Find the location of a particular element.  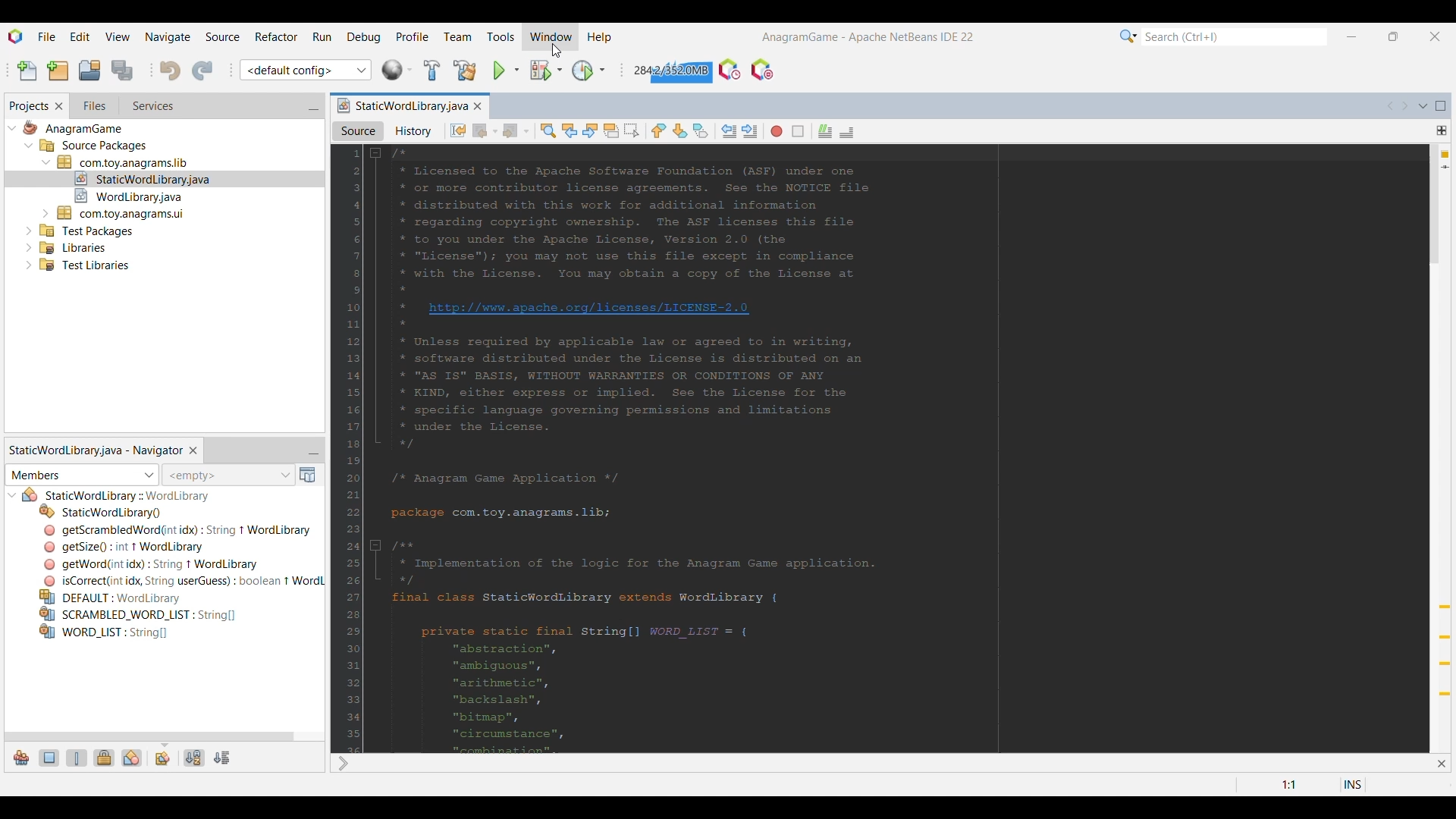

Toggle bookmark is located at coordinates (701, 131).